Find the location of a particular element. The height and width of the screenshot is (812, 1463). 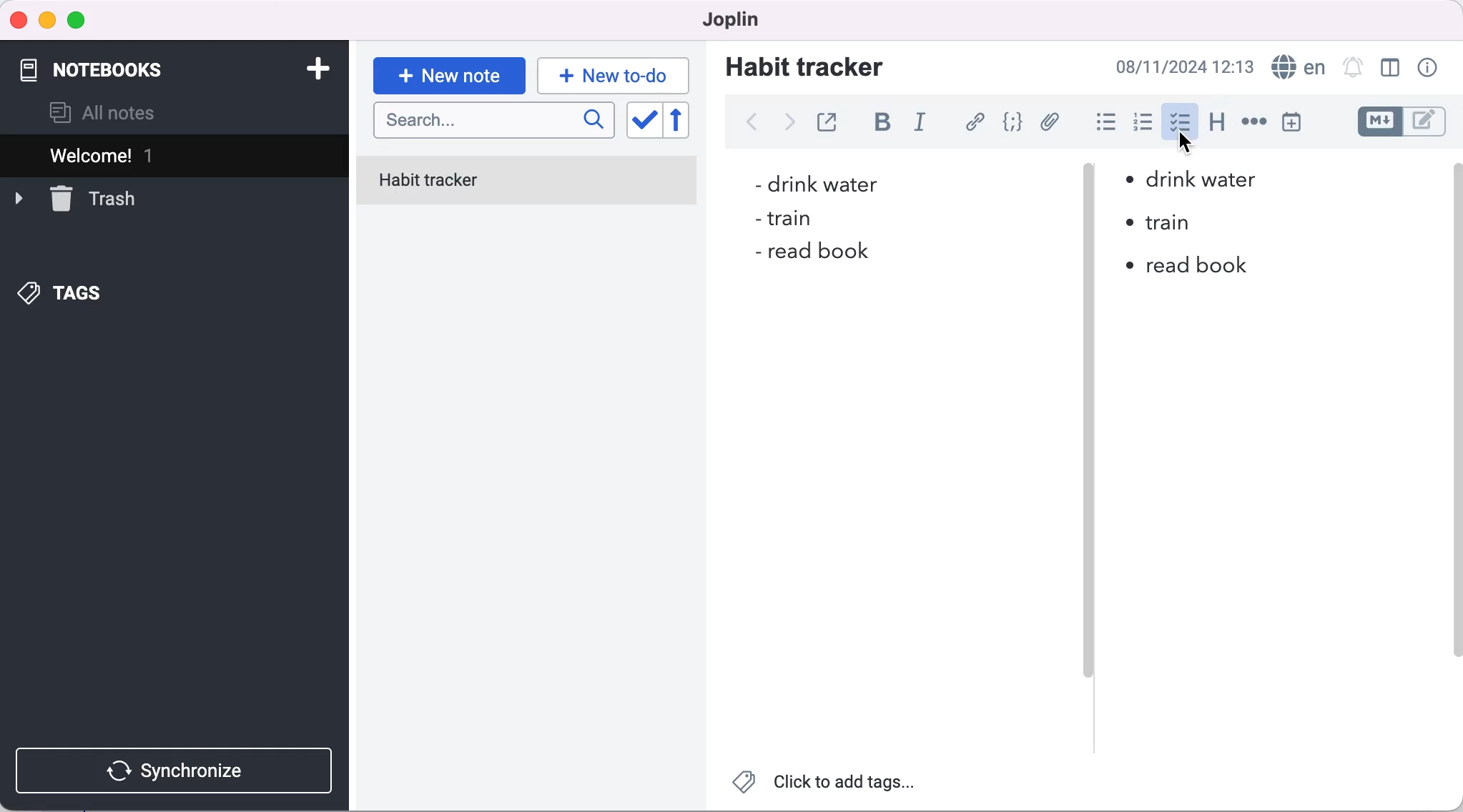

notebooks is located at coordinates (114, 63).